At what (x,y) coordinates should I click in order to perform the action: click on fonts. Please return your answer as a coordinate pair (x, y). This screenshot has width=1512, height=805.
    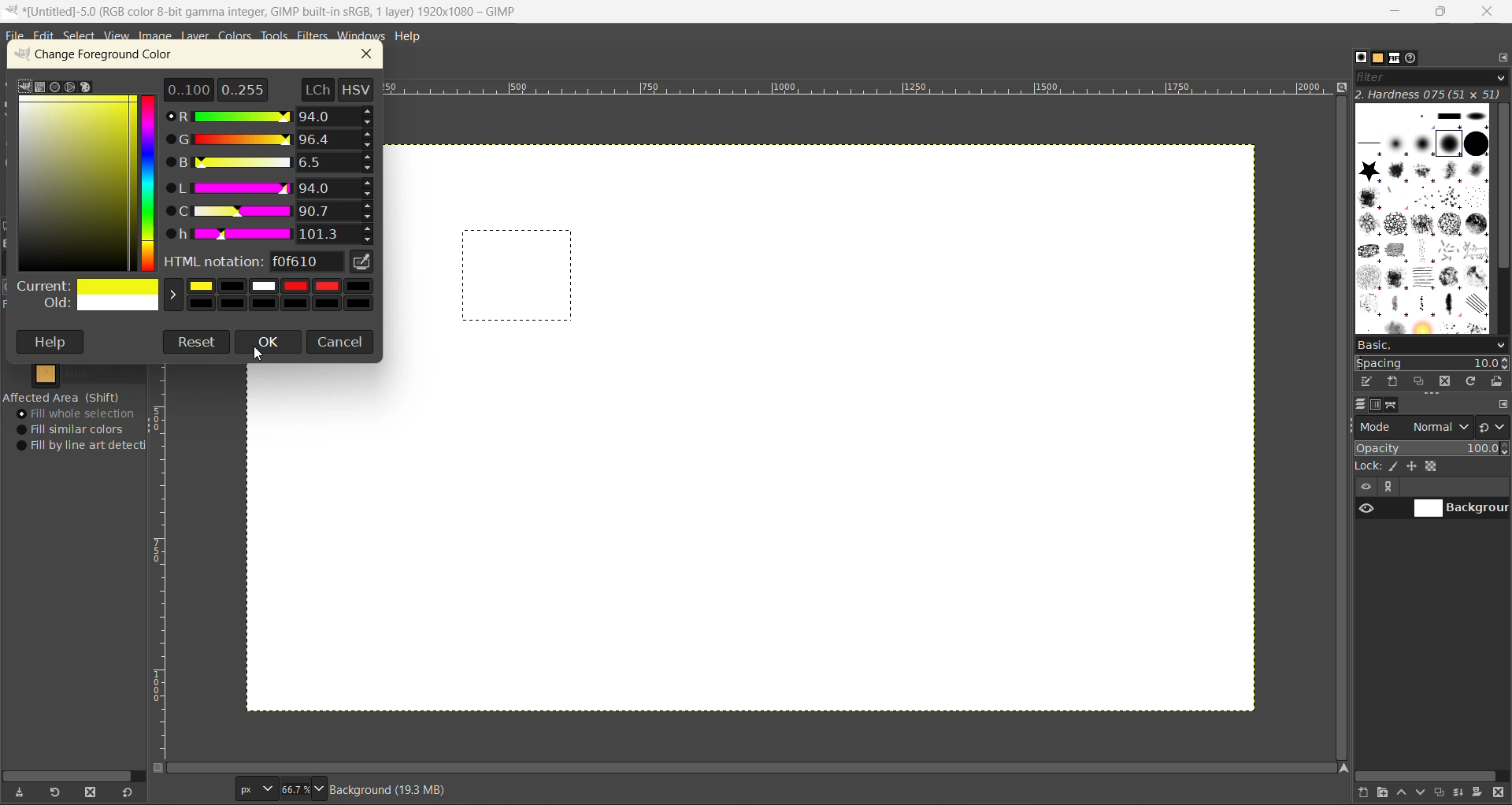
    Looking at the image, I should click on (1393, 58).